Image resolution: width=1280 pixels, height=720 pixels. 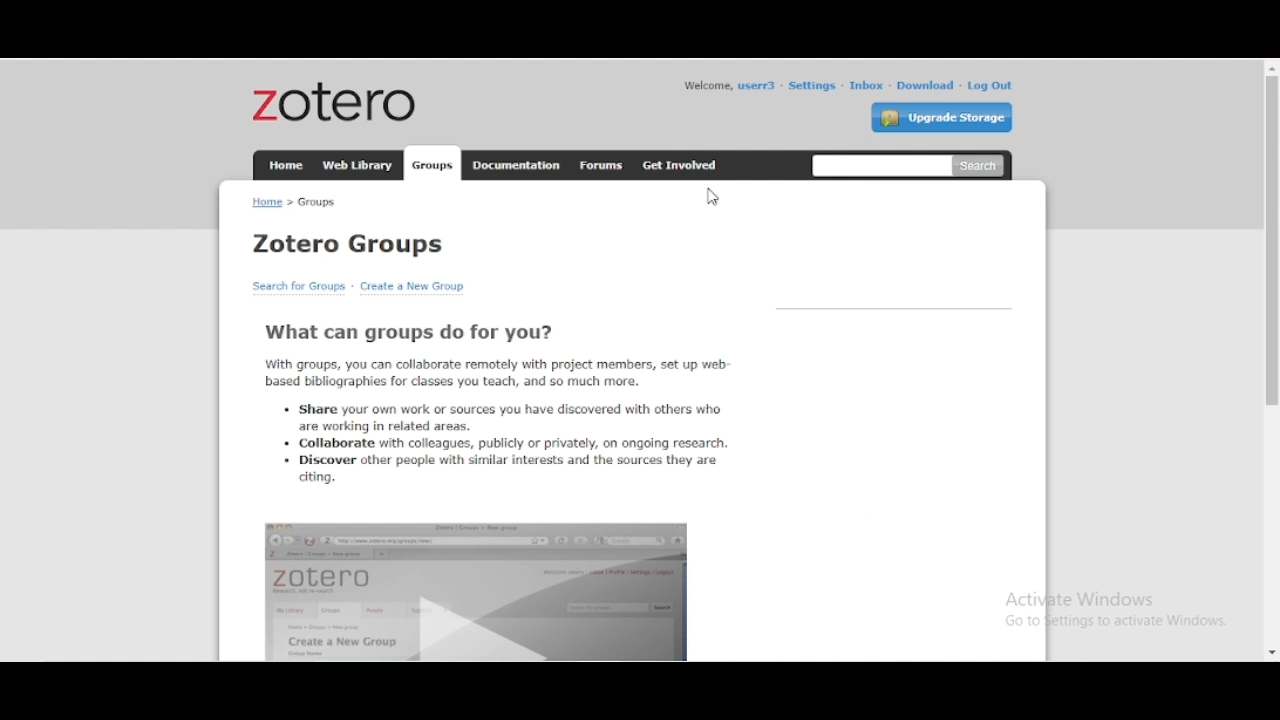 I want to click on inbox, so click(x=867, y=85).